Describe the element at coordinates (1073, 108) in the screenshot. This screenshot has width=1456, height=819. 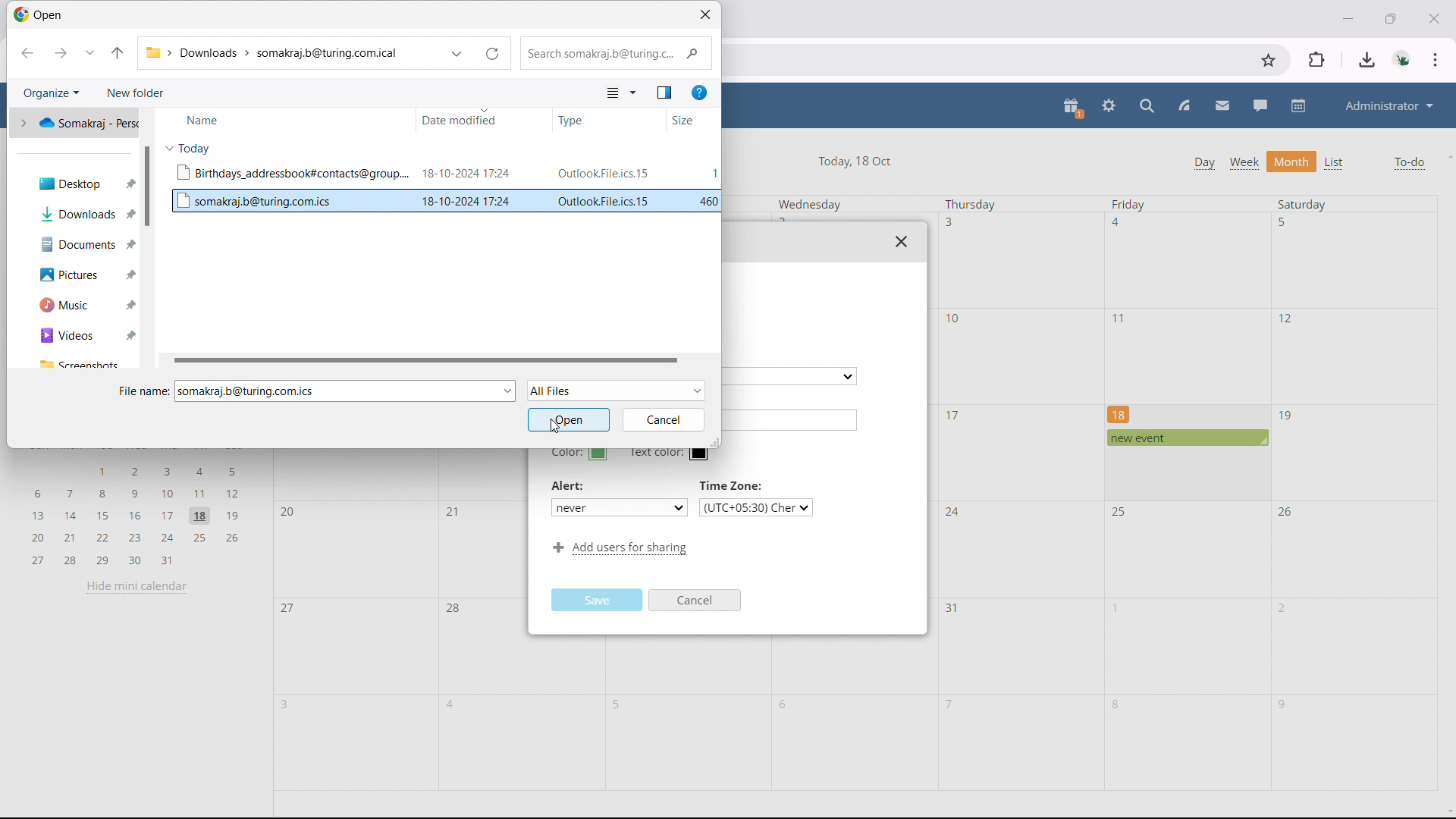
I see `present` at that location.